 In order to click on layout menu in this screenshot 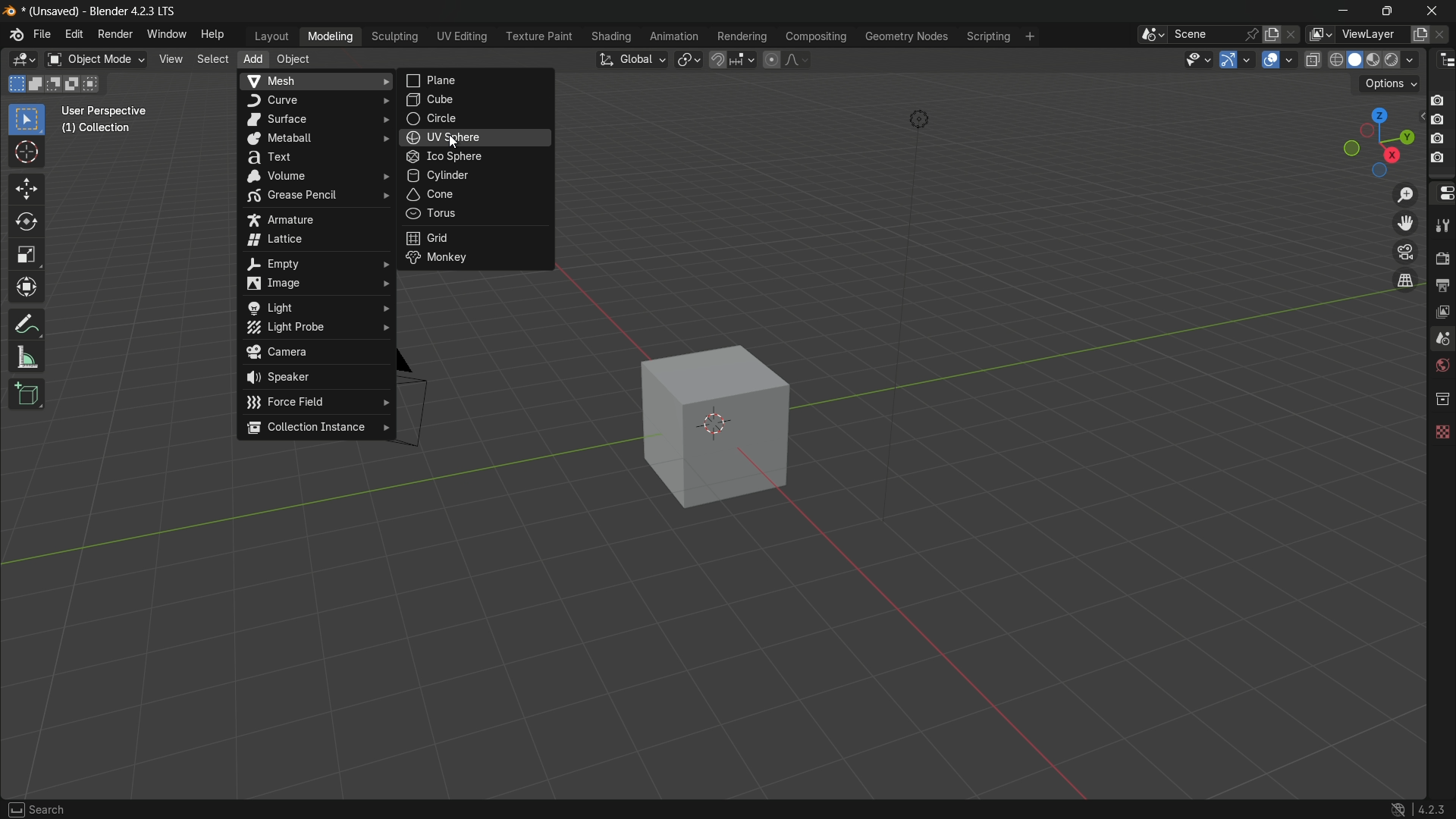, I will do `click(270, 36)`.